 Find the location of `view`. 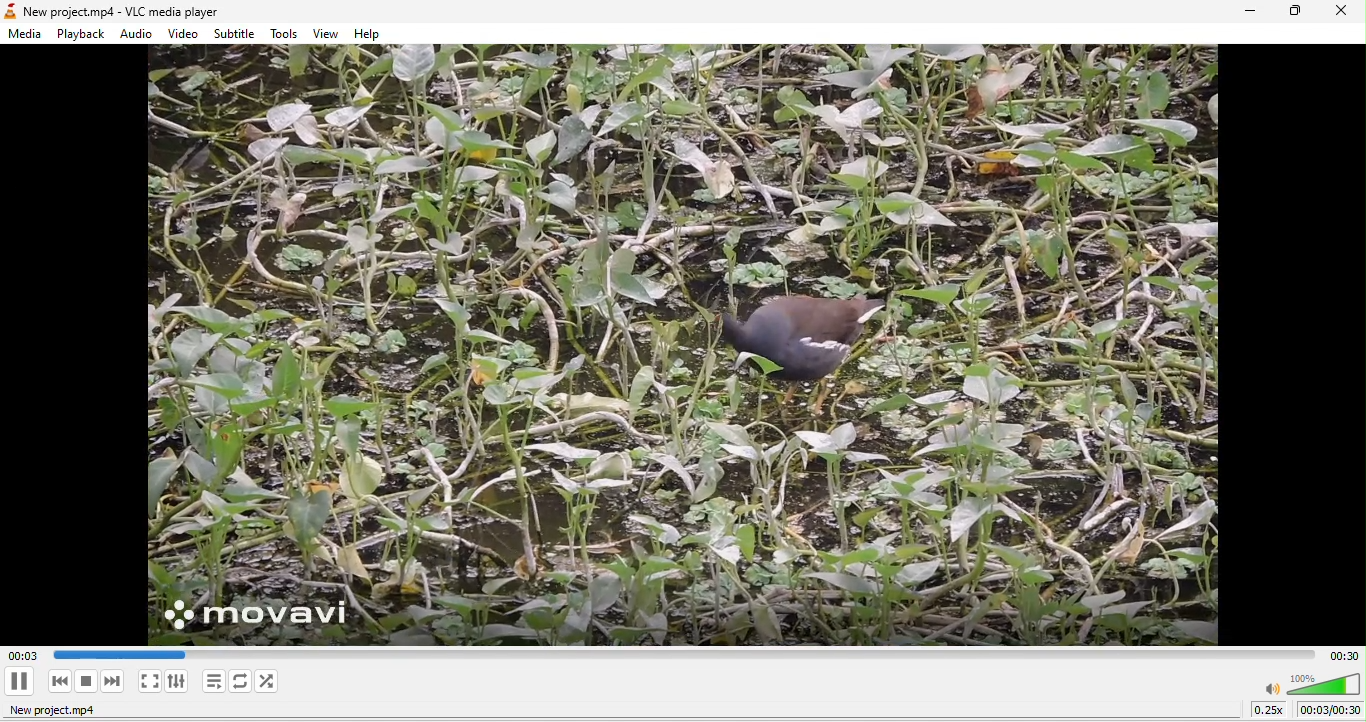

view is located at coordinates (327, 33).